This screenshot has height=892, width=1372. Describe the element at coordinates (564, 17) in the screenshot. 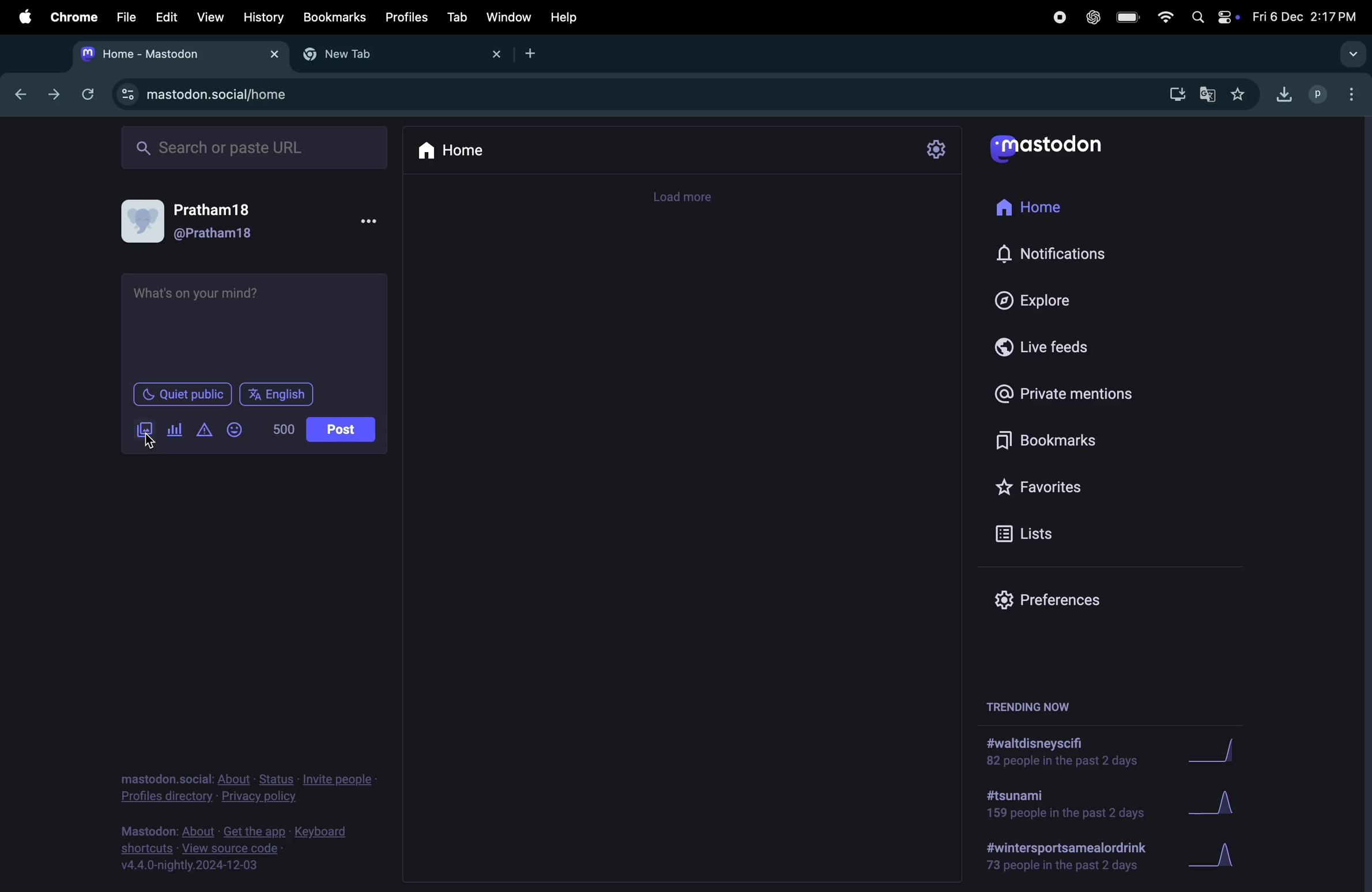

I see `help` at that location.